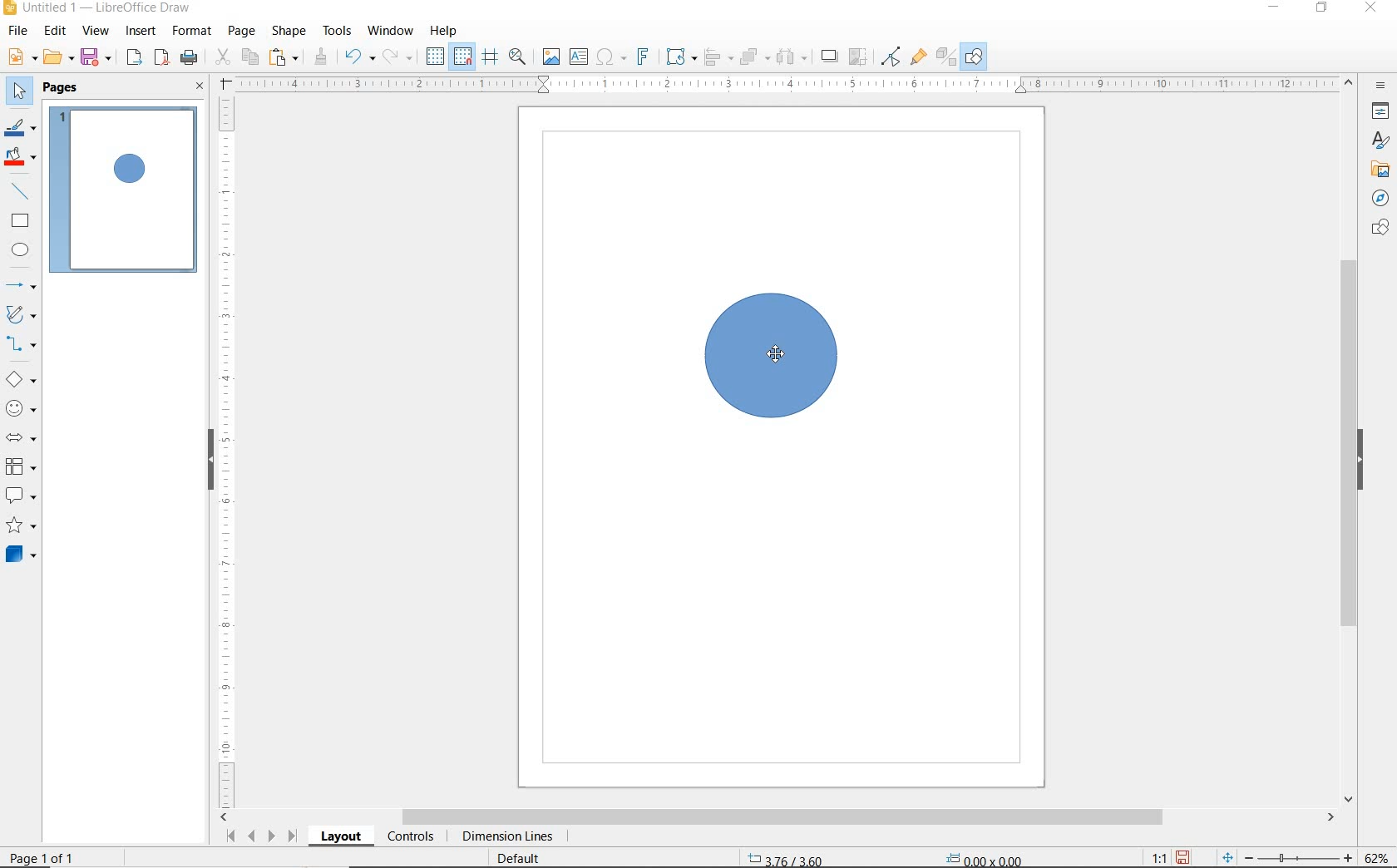  I want to click on SELECT ATLEAST 3 OBJECTS TO DISTRIBUTE, so click(792, 57).